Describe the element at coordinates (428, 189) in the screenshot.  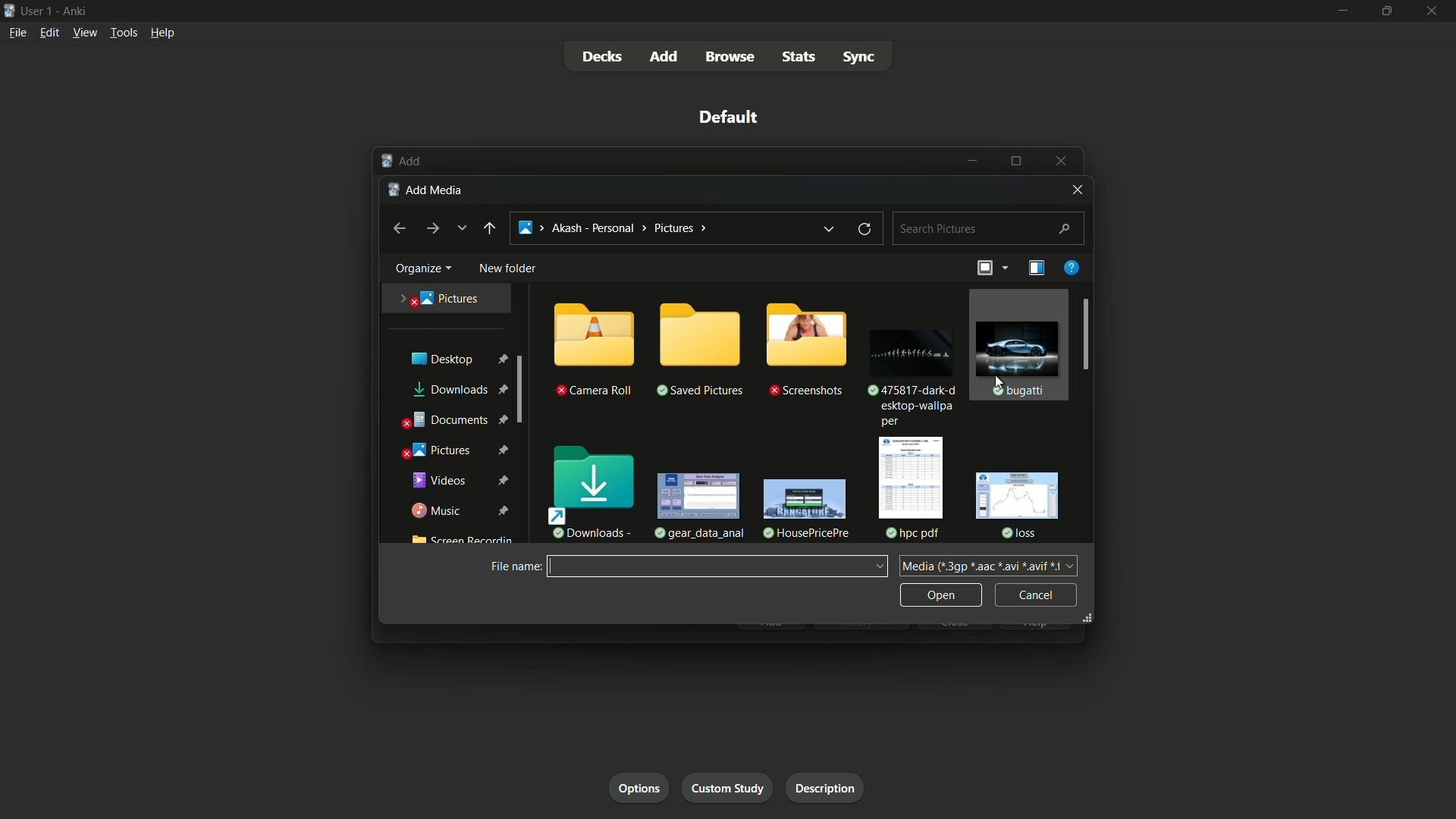
I see `add media` at that location.